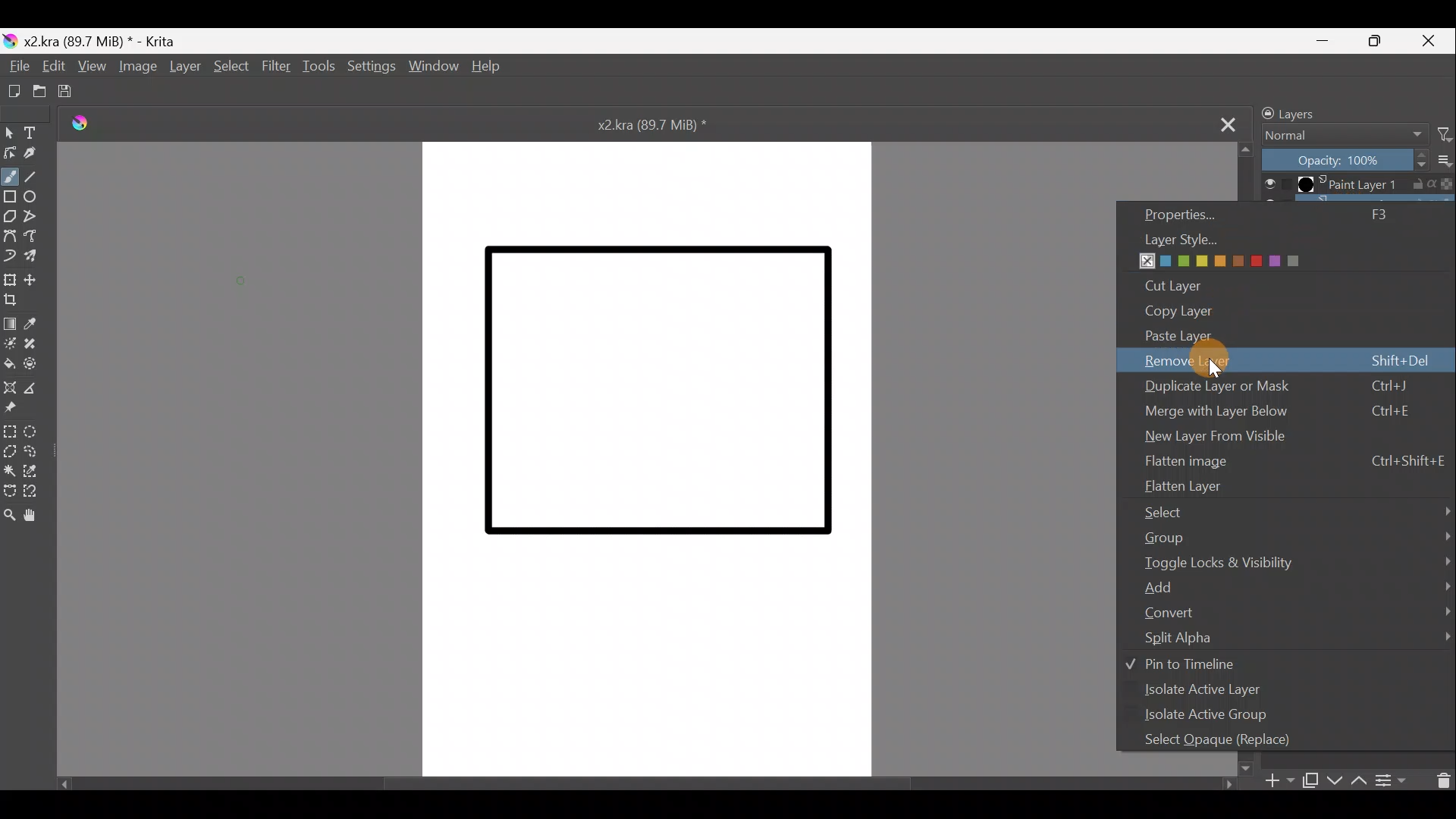  What do you see at coordinates (9, 218) in the screenshot?
I see `Polygon tool` at bounding box center [9, 218].